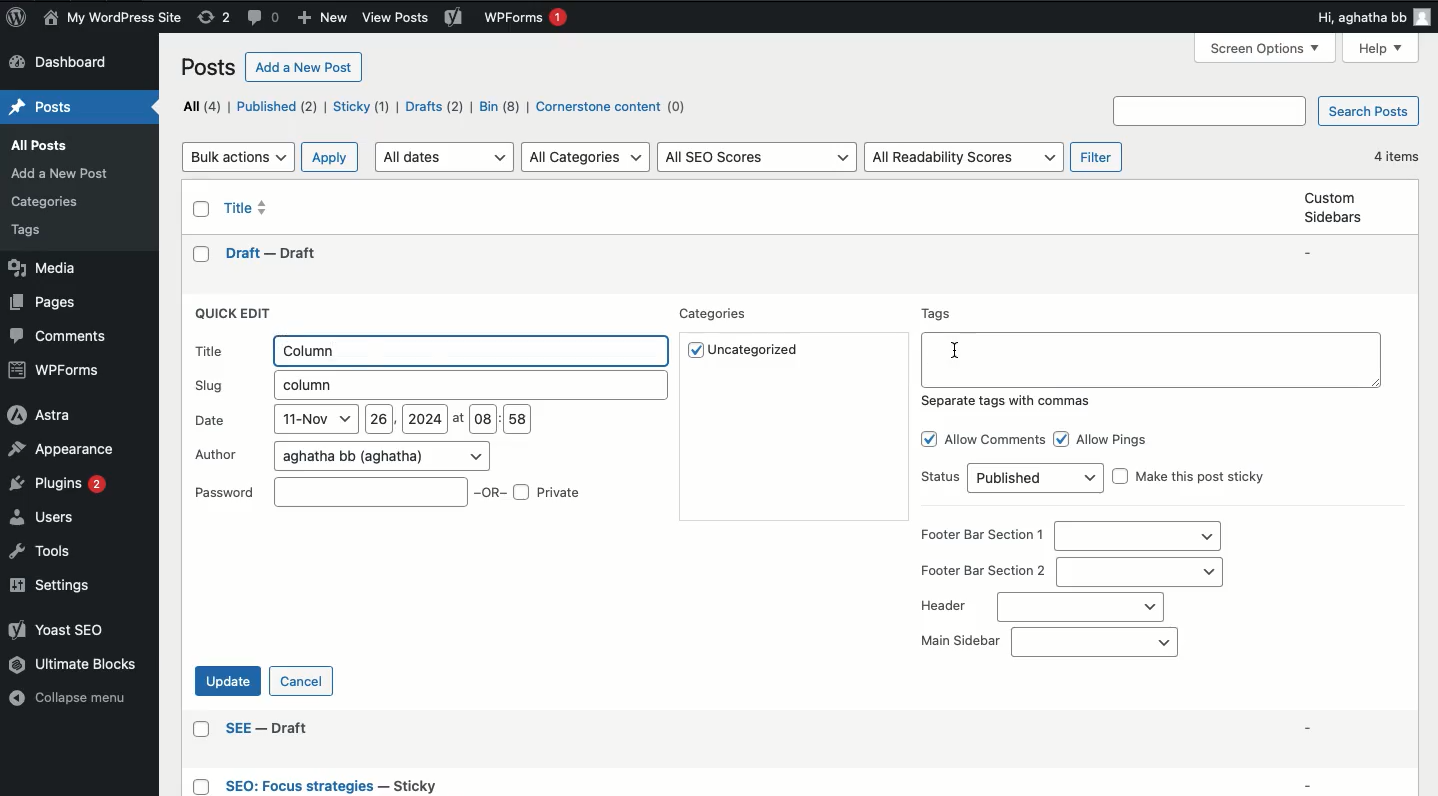  What do you see at coordinates (587, 156) in the screenshot?
I see `All categories` at bounding box center [587, 156].